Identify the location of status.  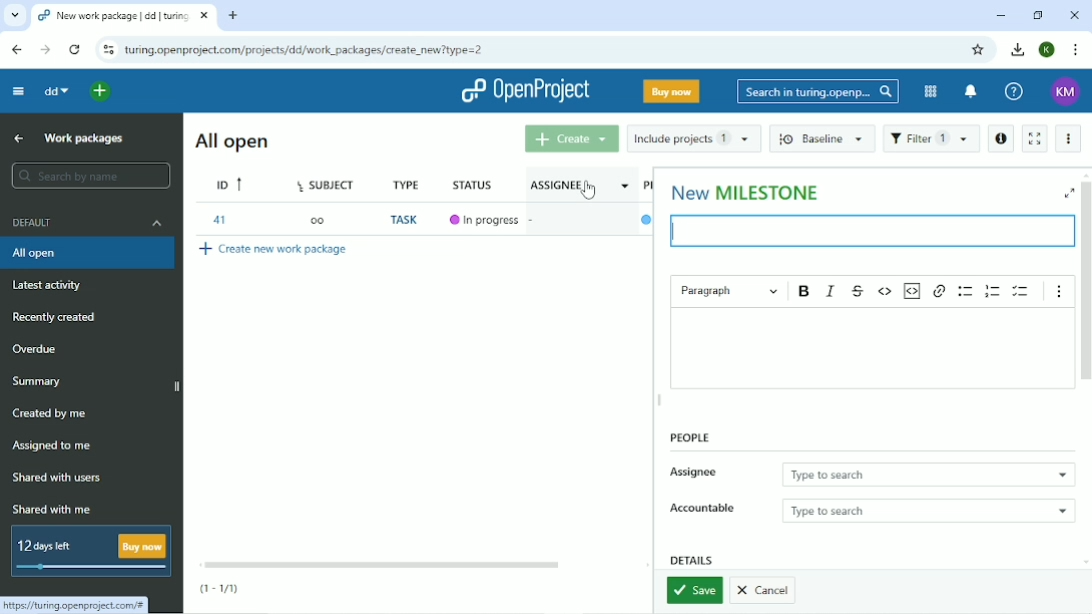
(476, 182).